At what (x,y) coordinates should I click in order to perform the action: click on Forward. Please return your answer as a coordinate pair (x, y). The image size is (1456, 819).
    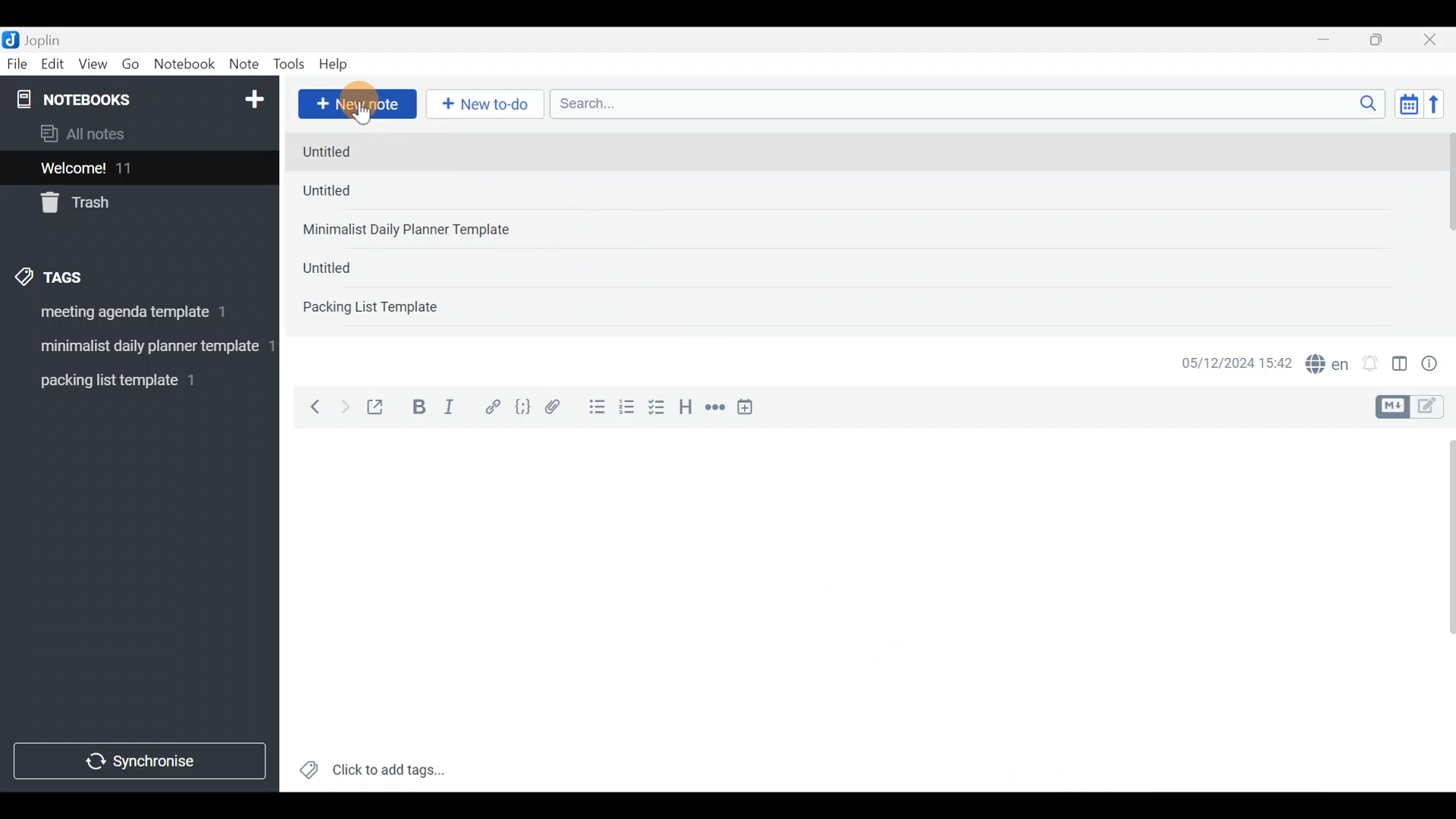
    Looking at the image, I should click on (344, 406).